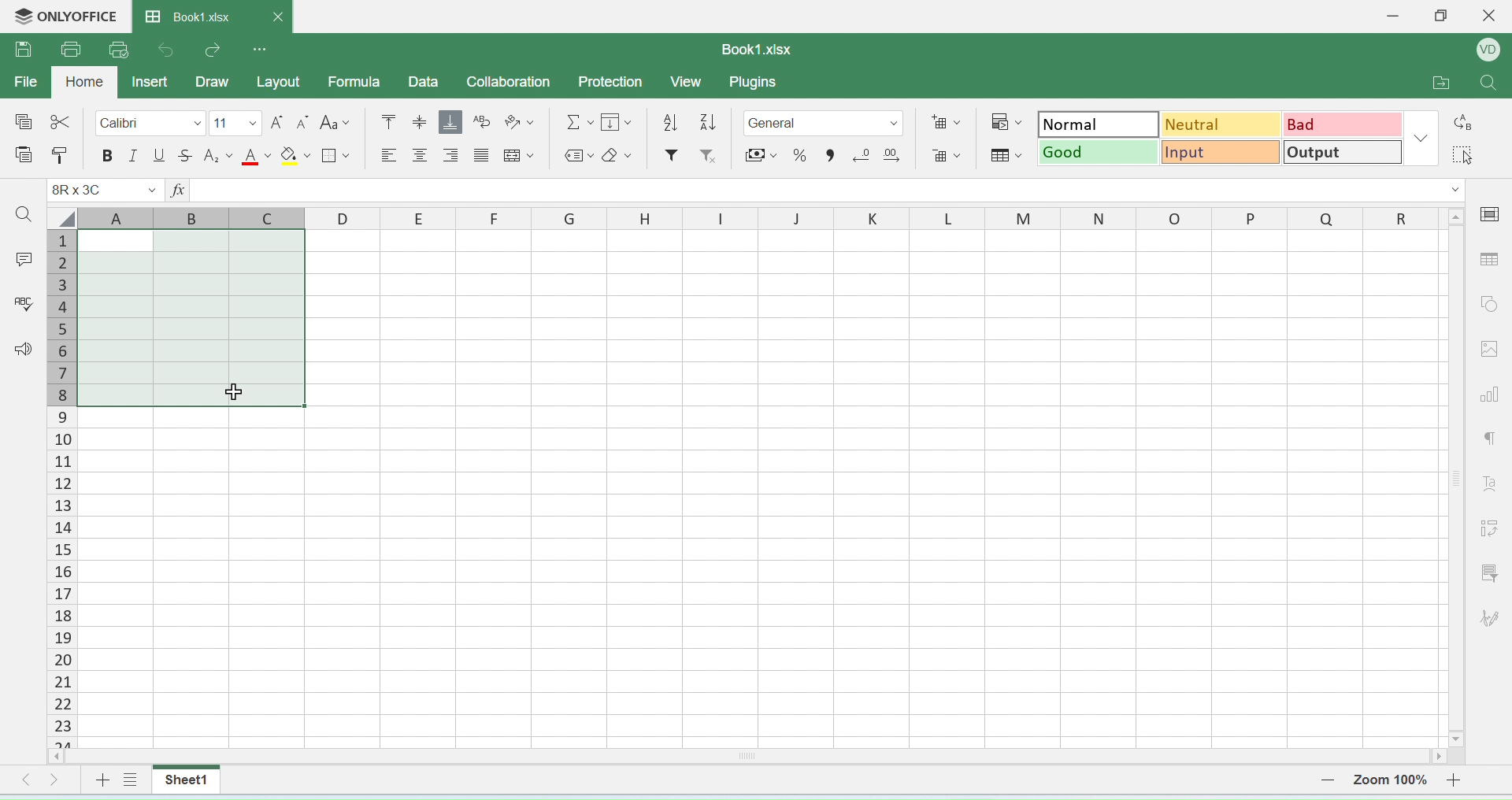  What do you see at coordinates (152, 124) in the screenshot?
I see `calibri` at bounding box center [152, 124].